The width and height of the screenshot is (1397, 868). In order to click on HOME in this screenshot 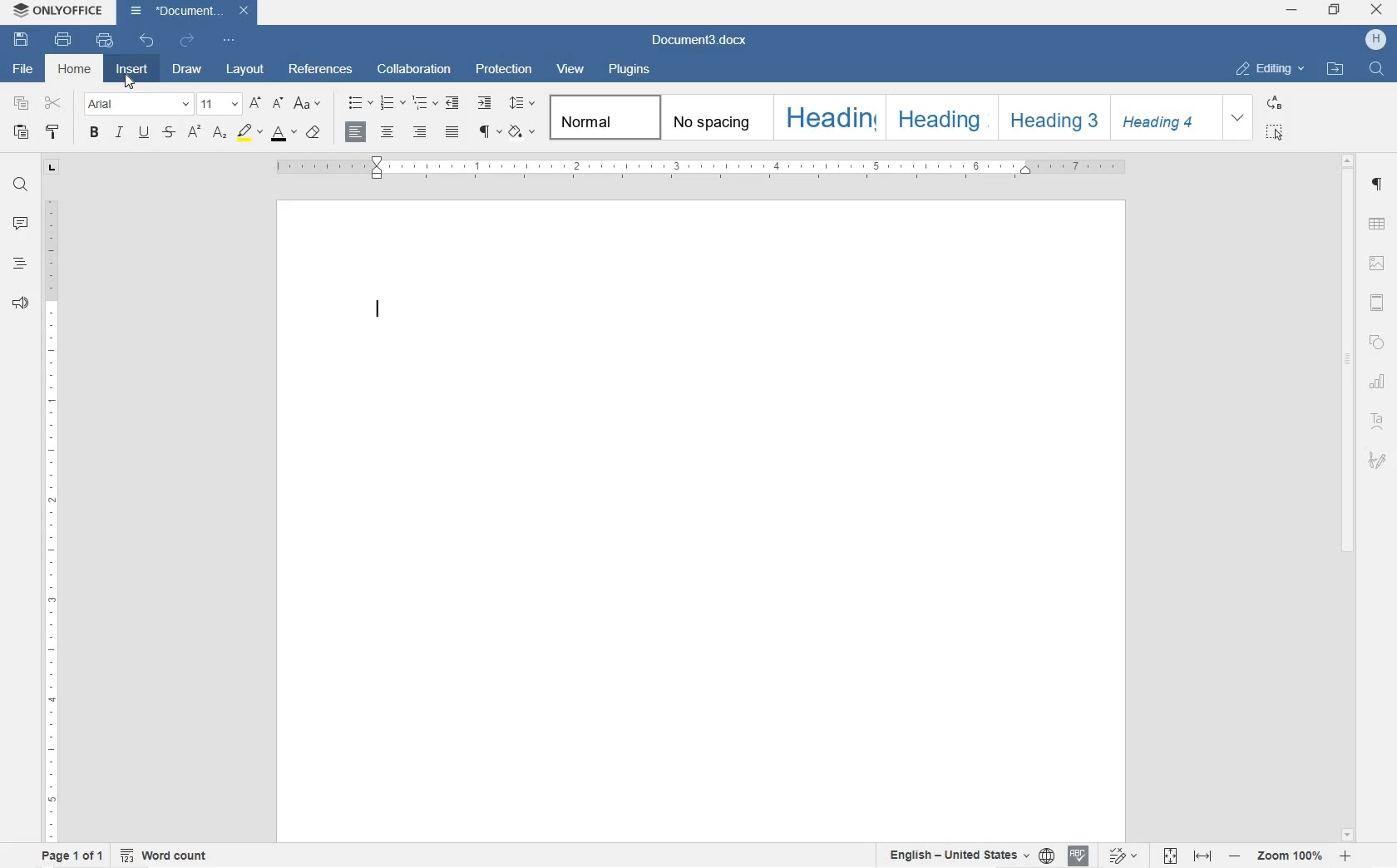, I will do `click(76, 67)`.